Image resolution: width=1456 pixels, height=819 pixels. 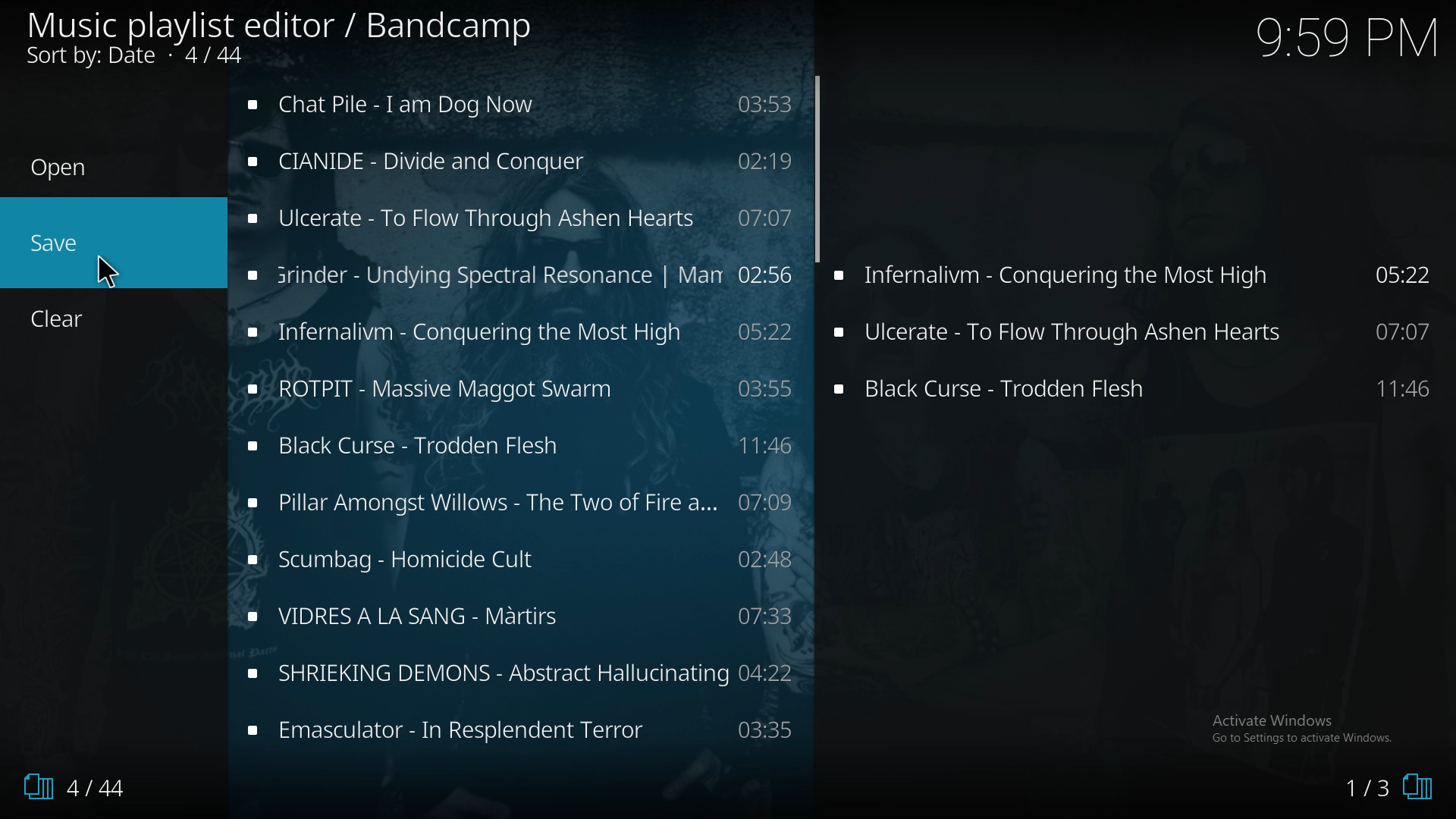 What do you see at coordinates (1137, 391) in the screenshot?
I see `Ulcerate - To Flow Through Ashen Hearts 07:07` at bounding box center [1137, 391].